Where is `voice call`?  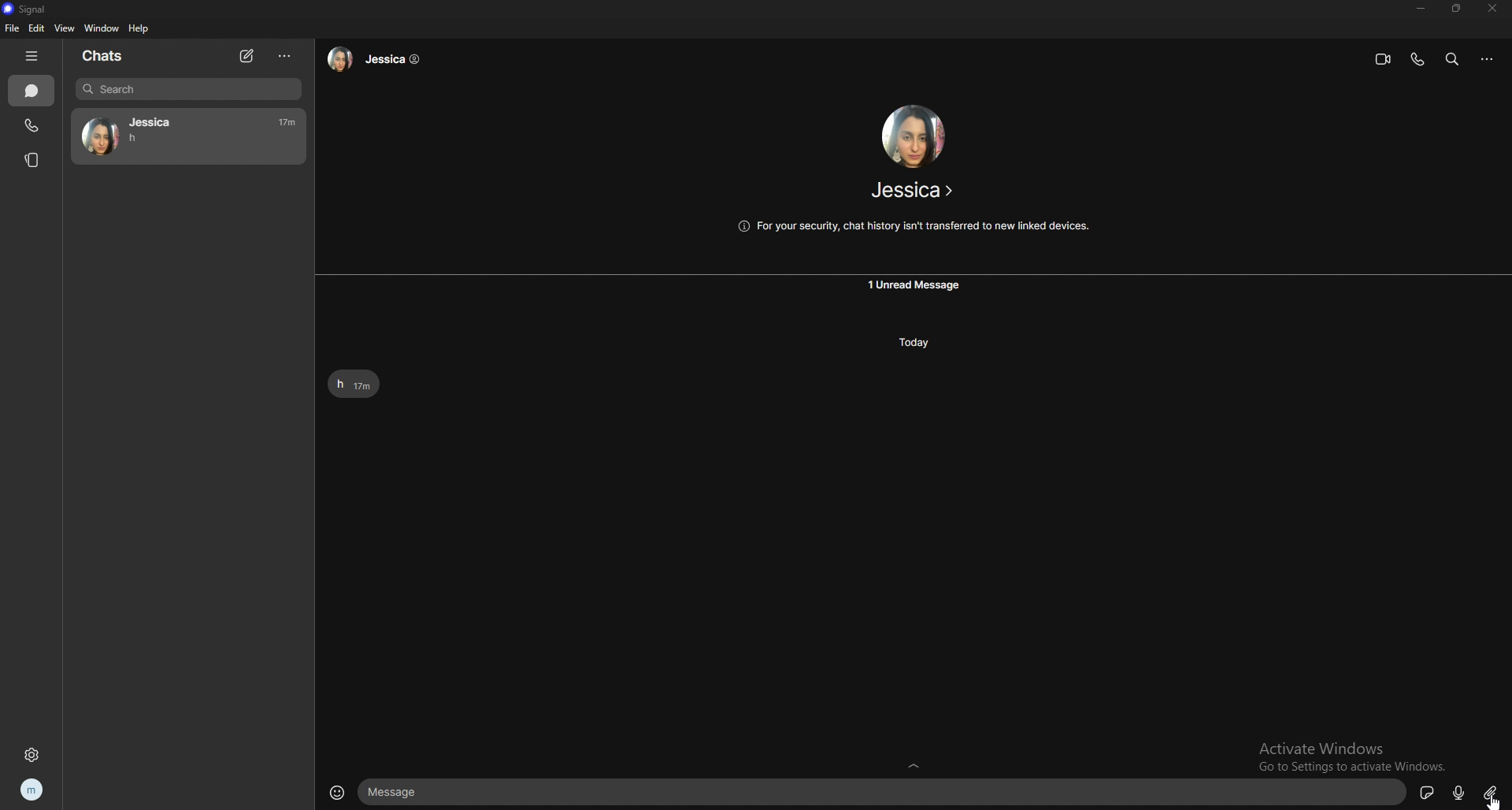
voice call is located at coordinates (1417, 59).